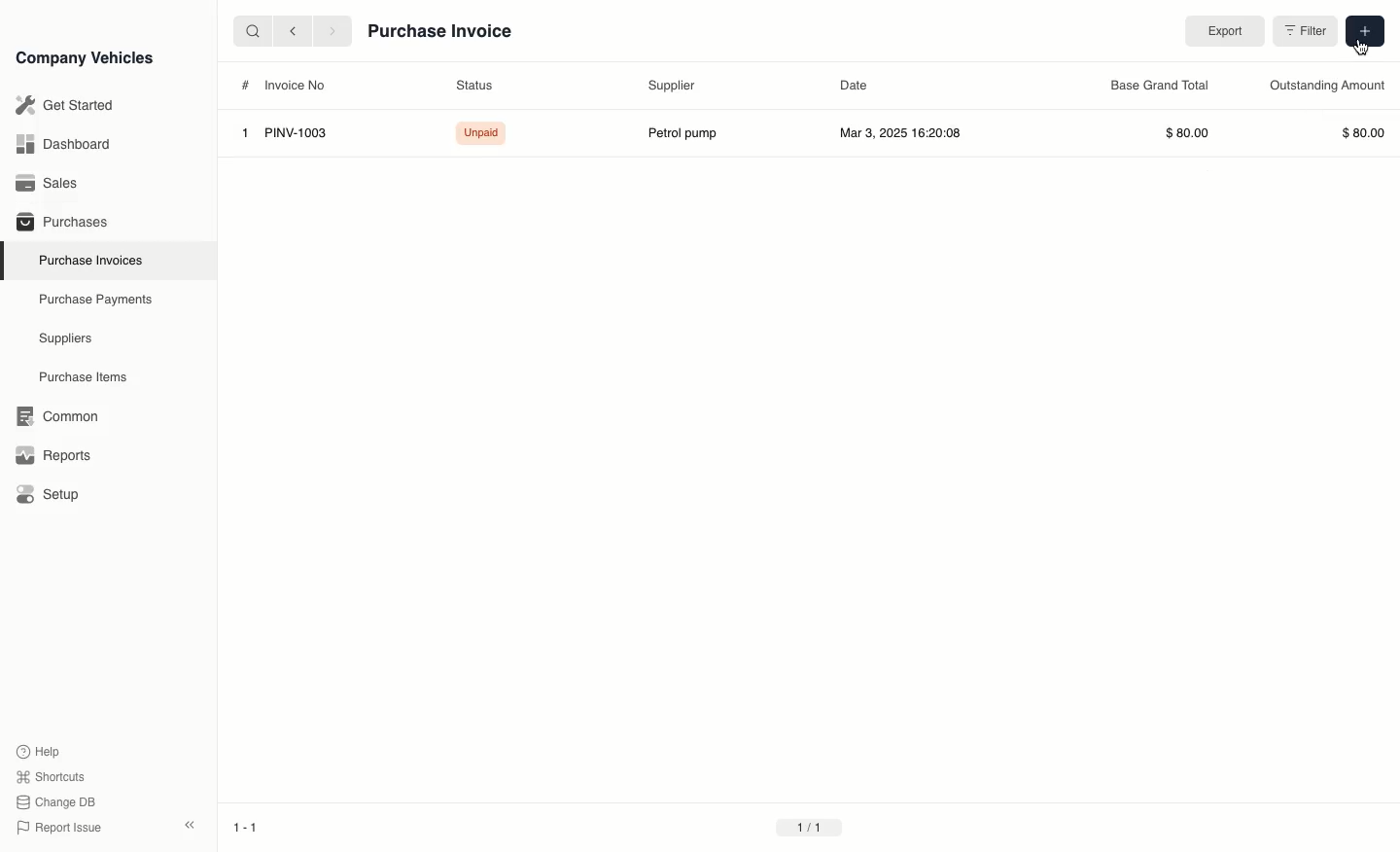 This screenshot has width=1400, height=852. I want to click on filter, so click(1307, 32).